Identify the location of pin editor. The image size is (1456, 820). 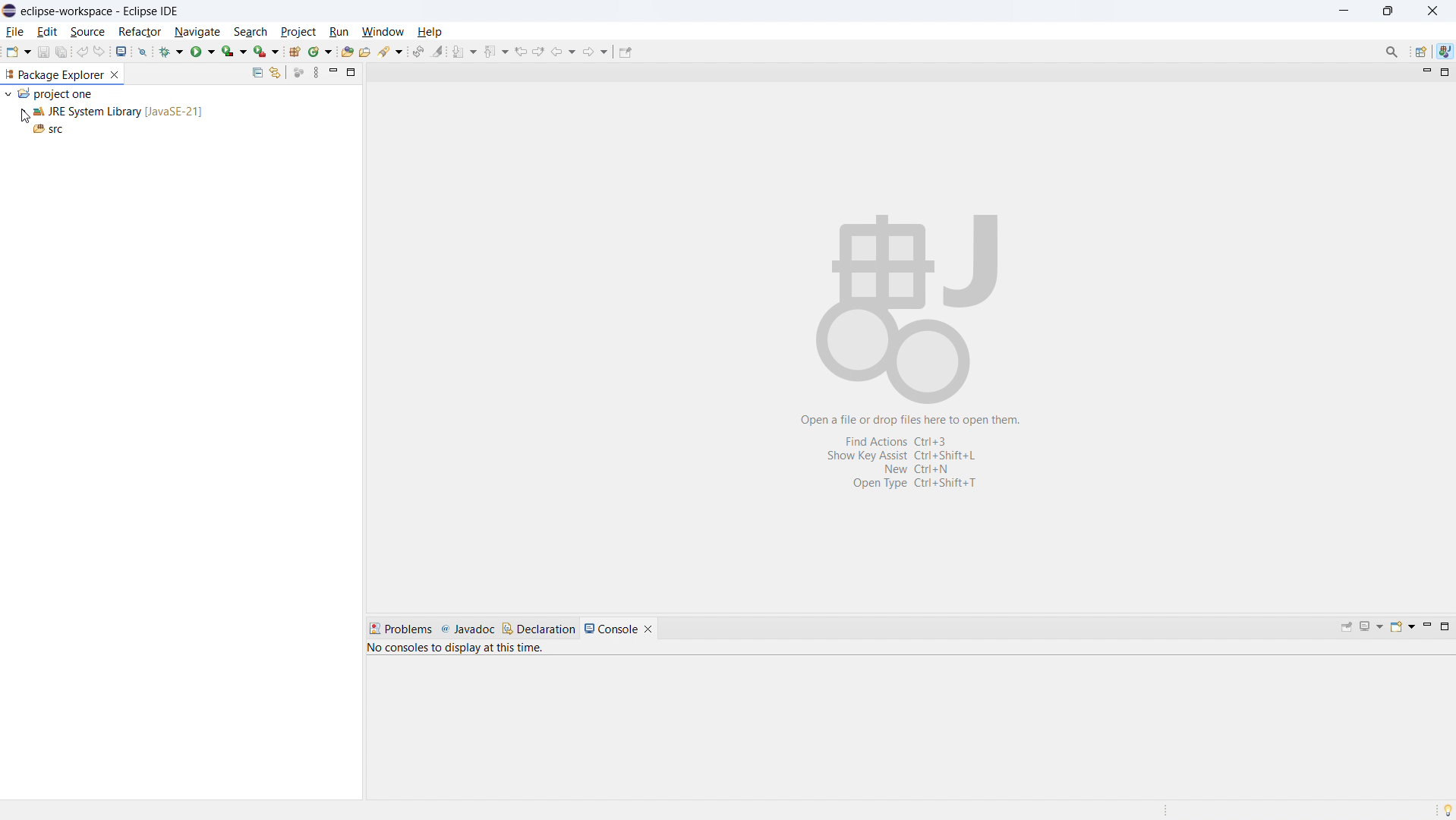
(626, 52).